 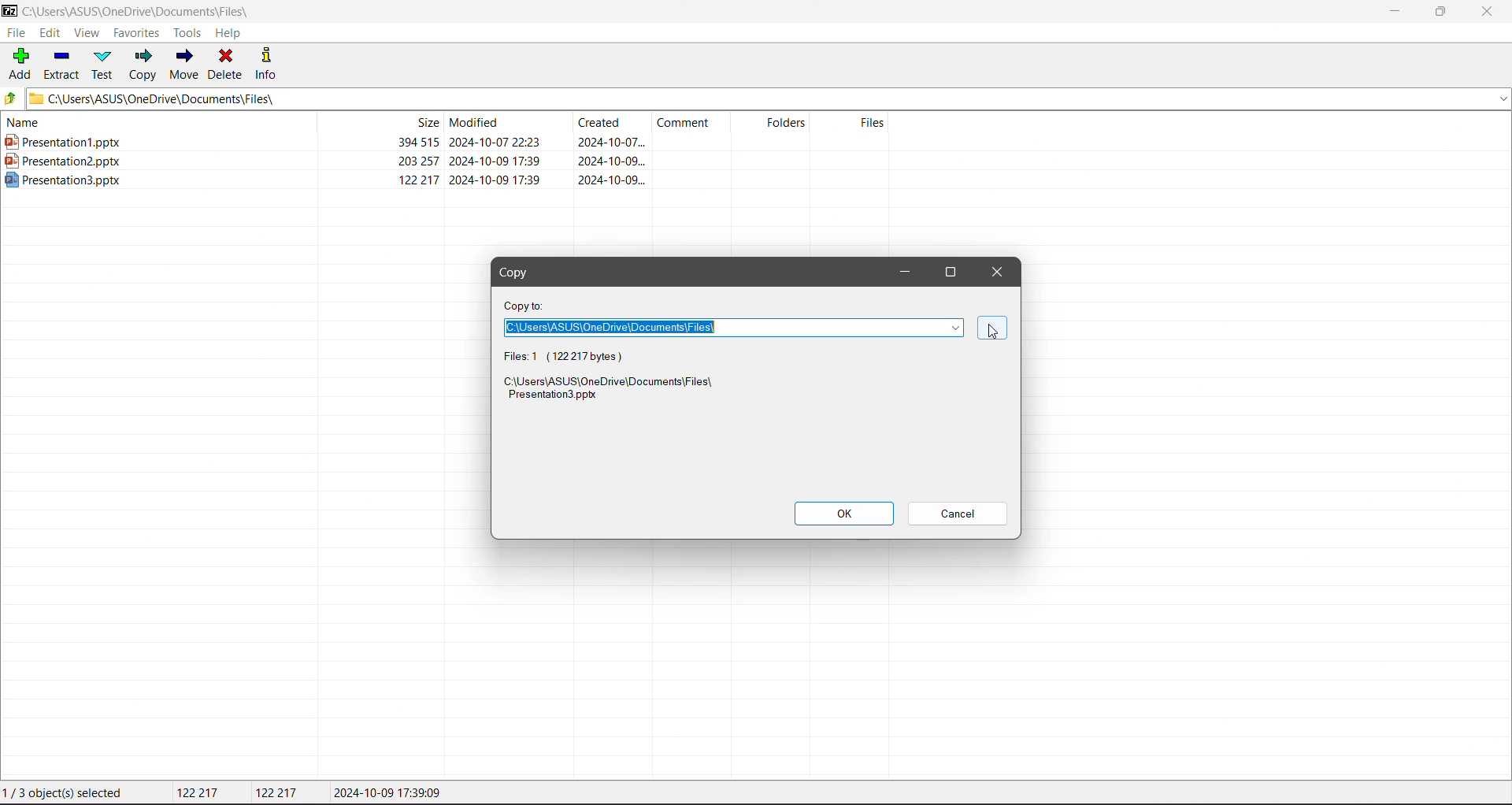 I want to click on Info, so click(x=269, y=65).